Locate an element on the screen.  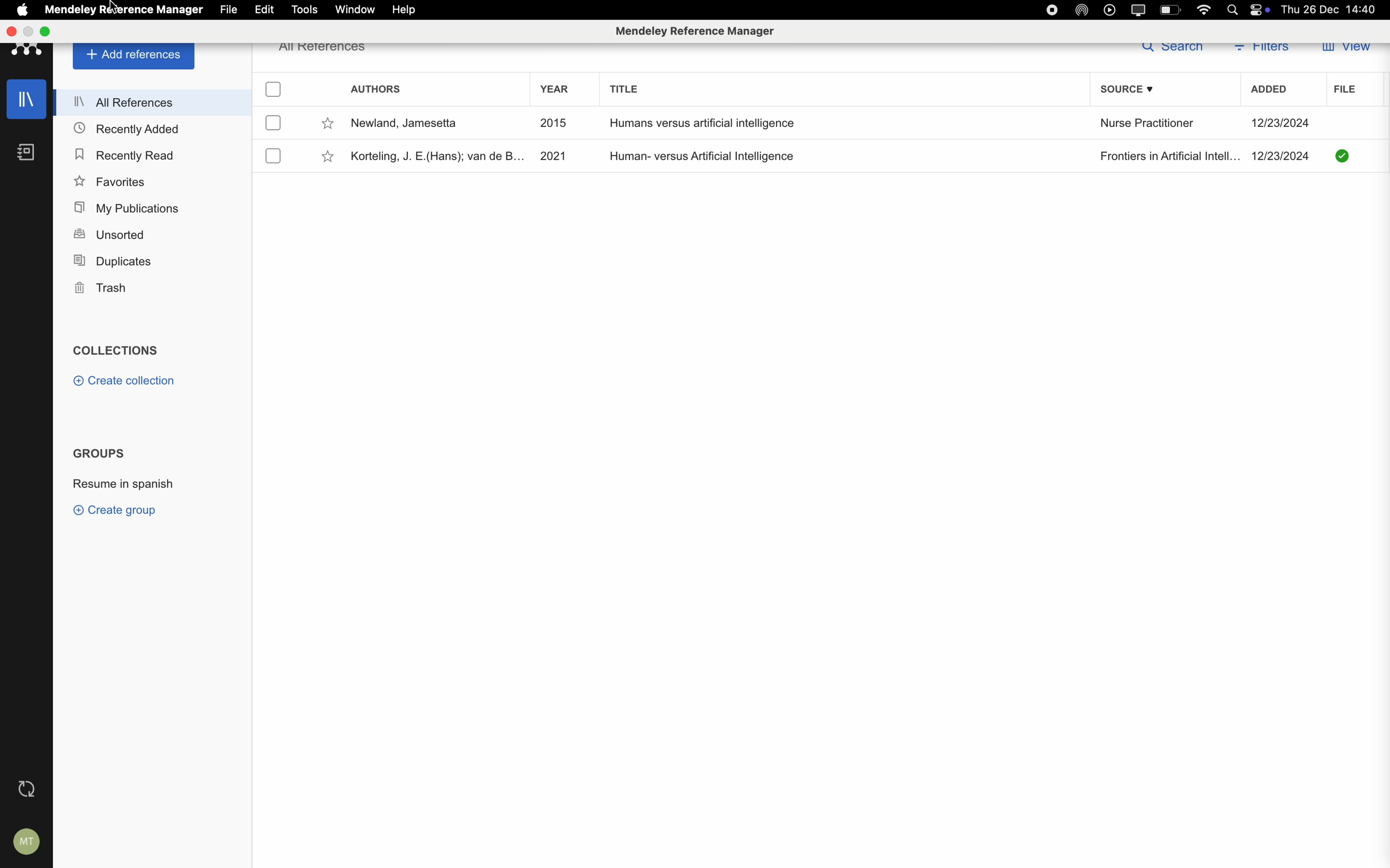
view is located at coordinates (1347, 49).